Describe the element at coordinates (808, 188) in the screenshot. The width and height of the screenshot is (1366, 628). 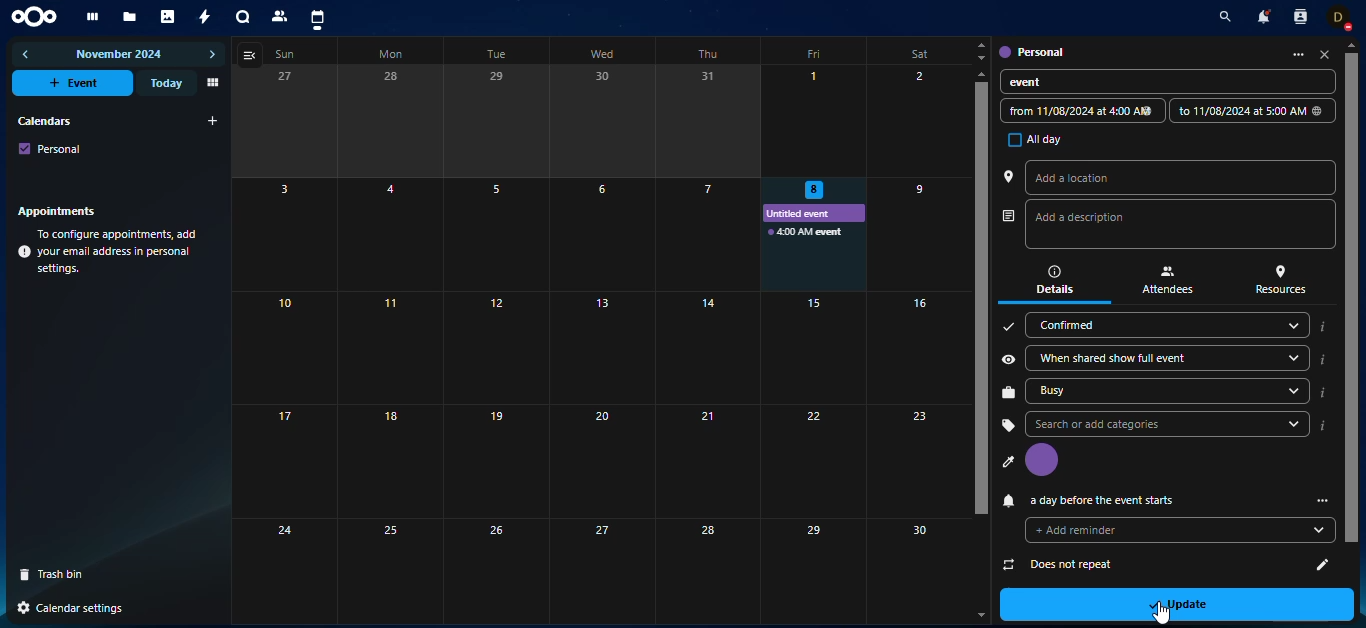
I see `selected date` at that location.